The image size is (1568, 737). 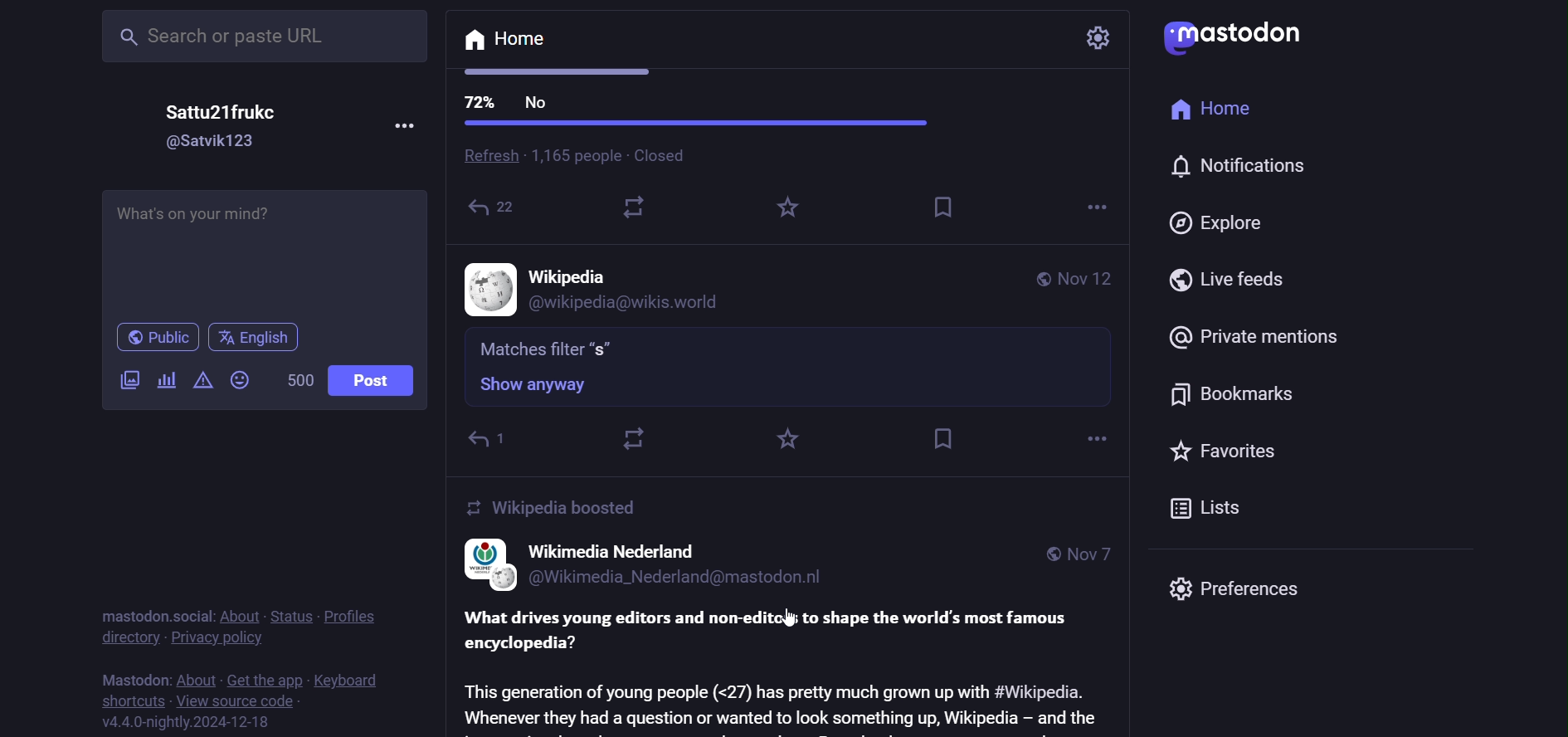 What do you see at coordinates (260, 246) in the screenshot?
I see `post here` at bounding box center [260, 246].